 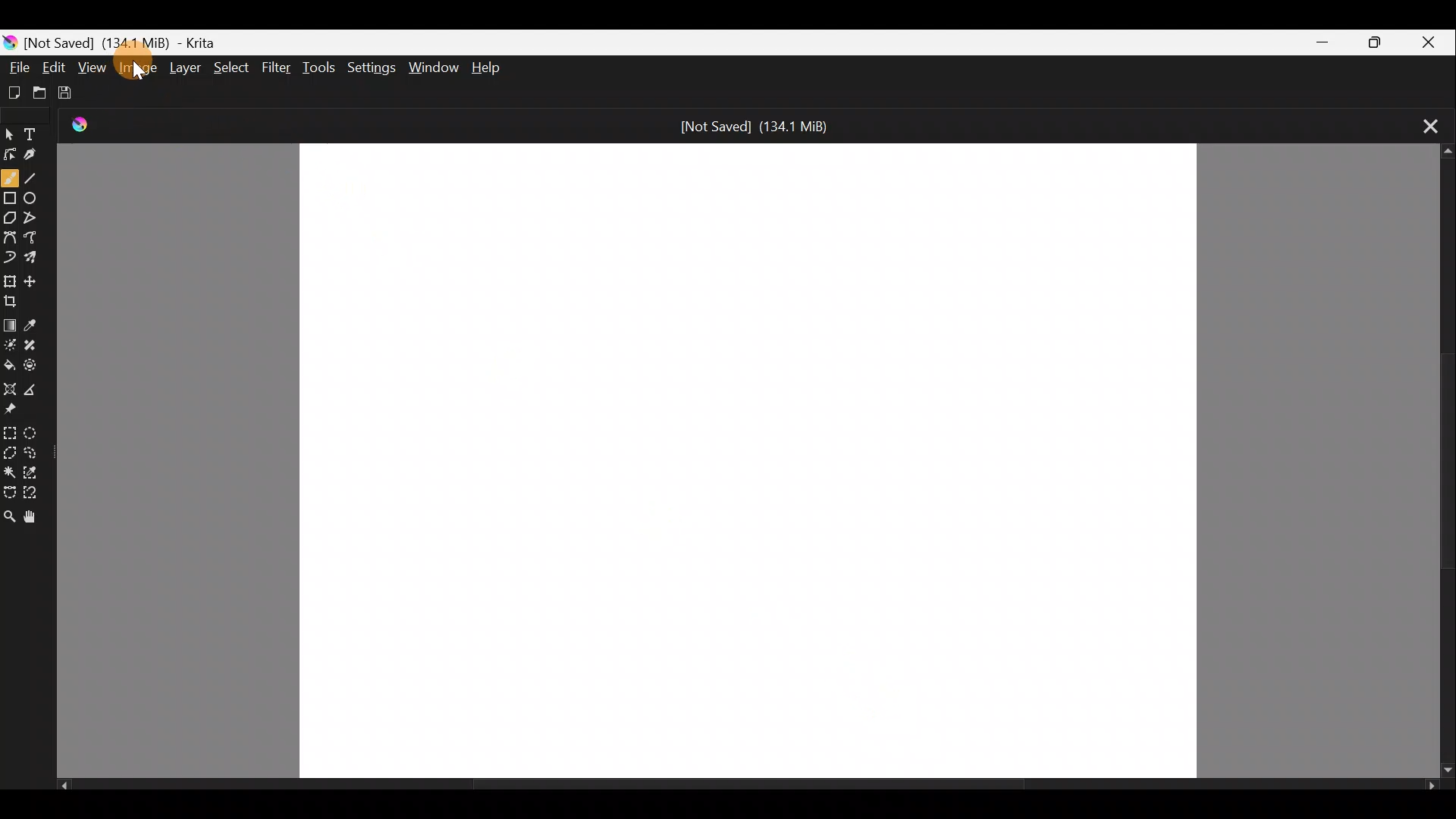 What do you see at coordinates (86, 124) in the screenshot?
I see `Krita Logo` at bounding box center [86, 124].